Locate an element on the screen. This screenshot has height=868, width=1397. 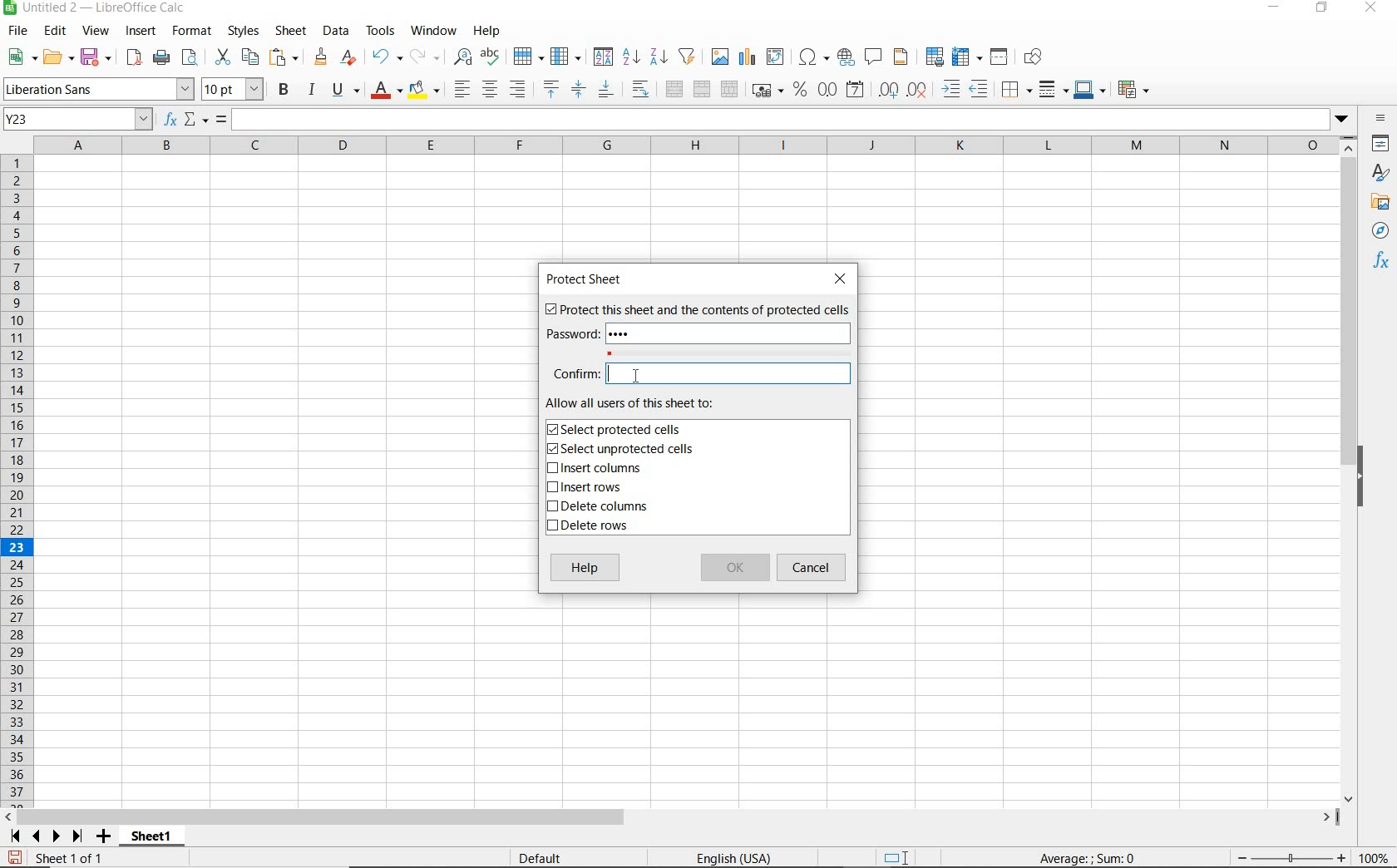
OK is located at coordinates (734, 569).